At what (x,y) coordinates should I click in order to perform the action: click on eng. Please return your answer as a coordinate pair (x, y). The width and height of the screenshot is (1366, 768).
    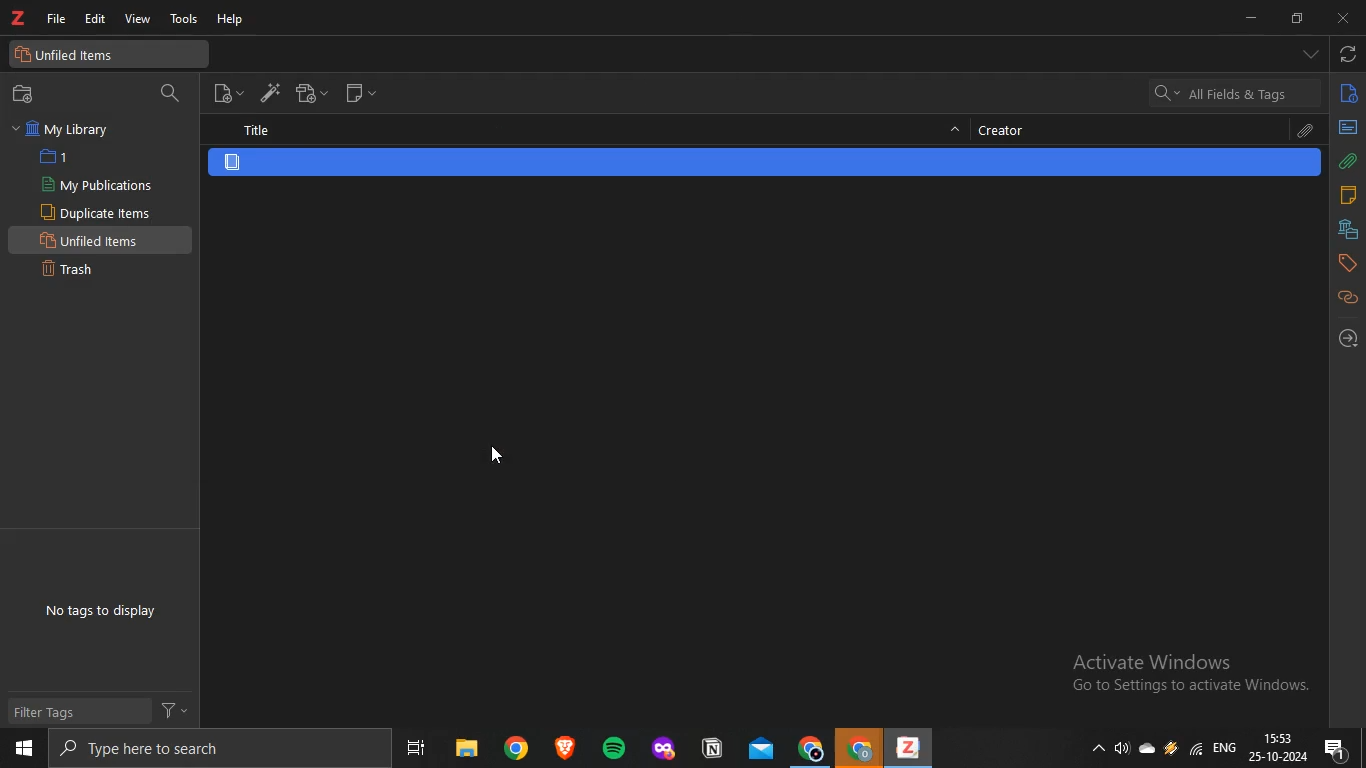
    Looking at the image, I should click on (1227, 745).